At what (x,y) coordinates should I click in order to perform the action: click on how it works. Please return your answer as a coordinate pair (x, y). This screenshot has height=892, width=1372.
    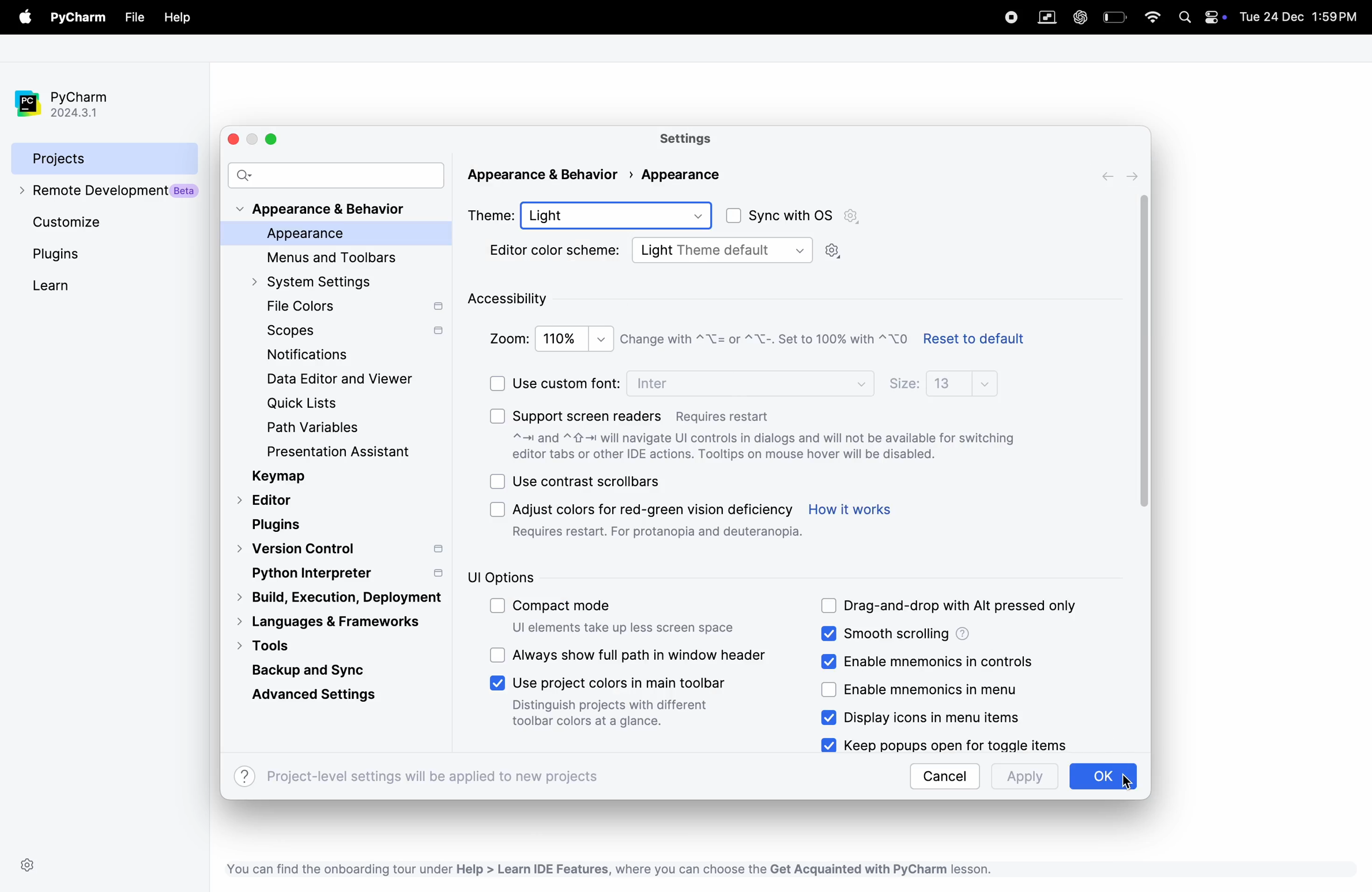
    Looking at the image, I should click on (856, 512).